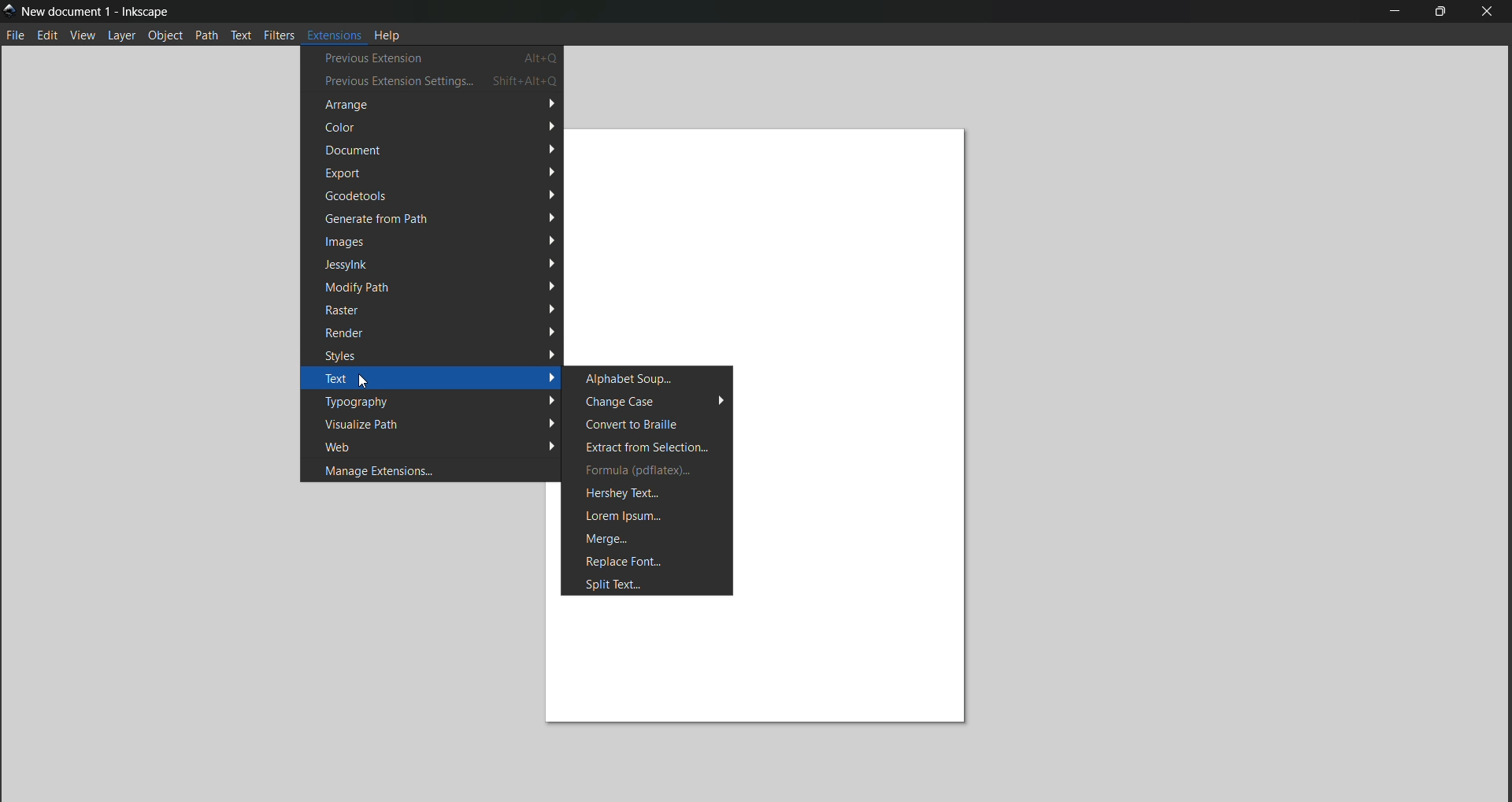 The height and width of the screenshot is (802, 1512). I want to click on Convert to Braille, so click(647, 424).